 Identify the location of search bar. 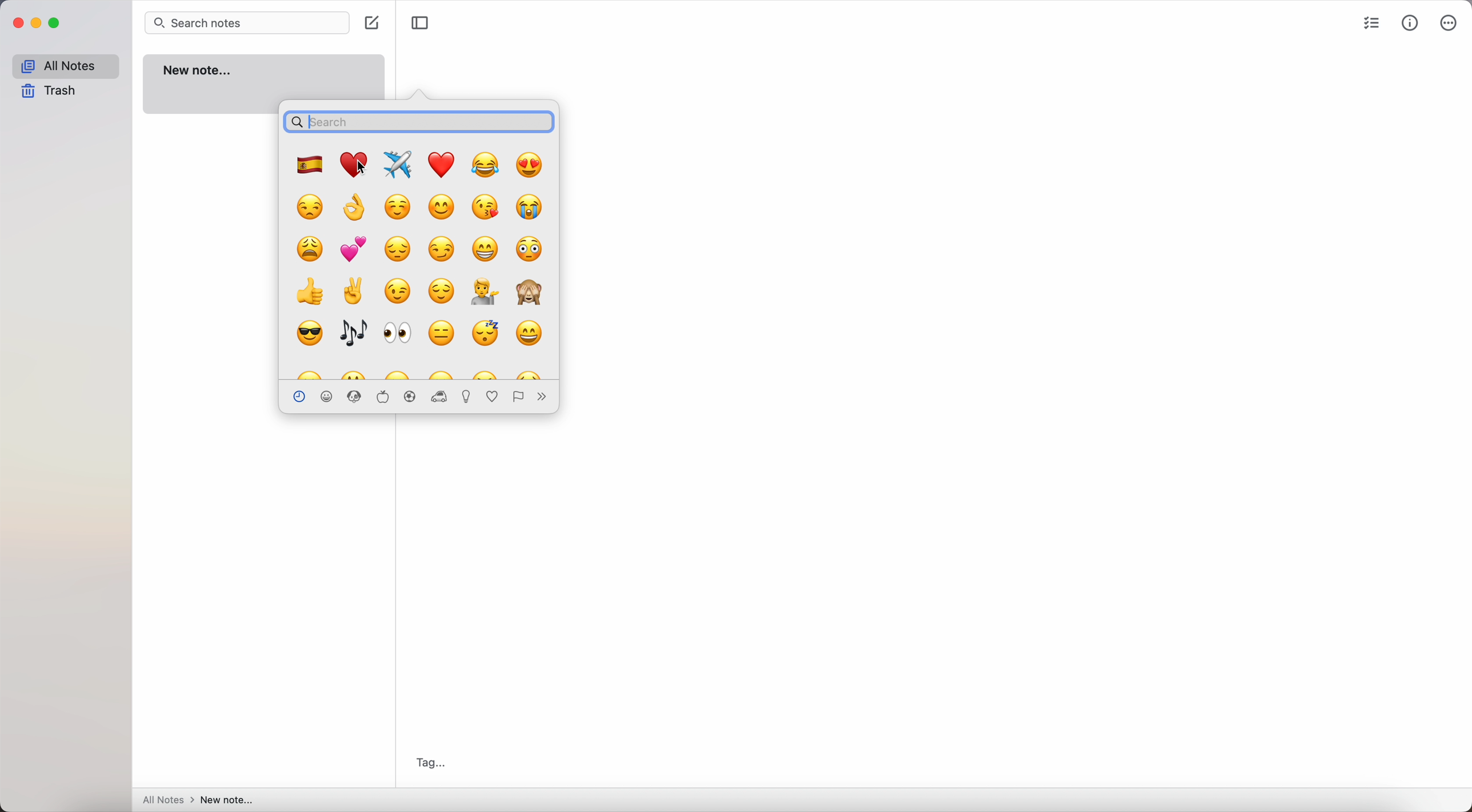
(246, 22).